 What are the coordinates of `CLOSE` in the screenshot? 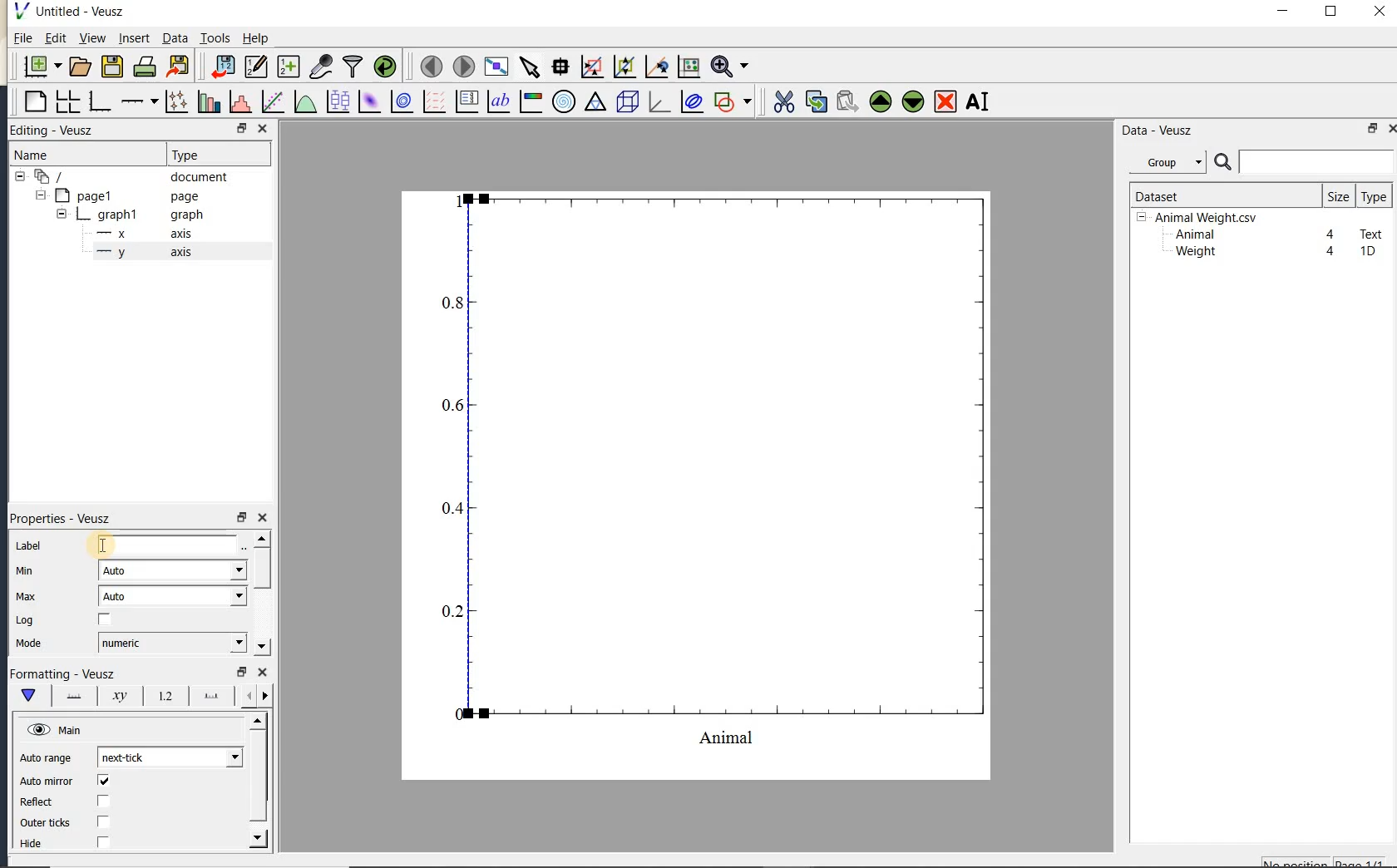 It's located at (262, 128).